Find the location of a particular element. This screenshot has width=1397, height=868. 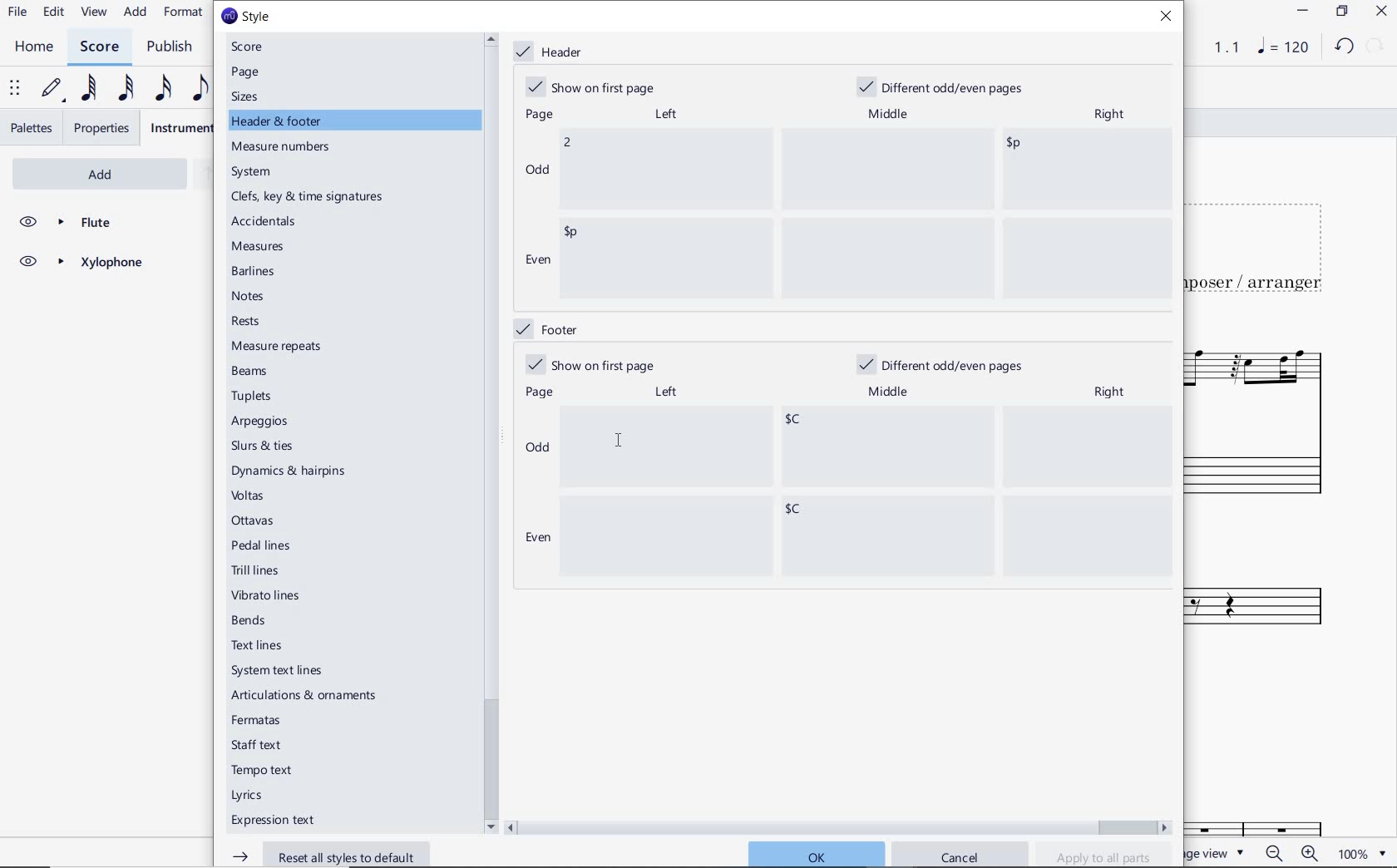

reset all styles to default is located at coordinates (332, 854).